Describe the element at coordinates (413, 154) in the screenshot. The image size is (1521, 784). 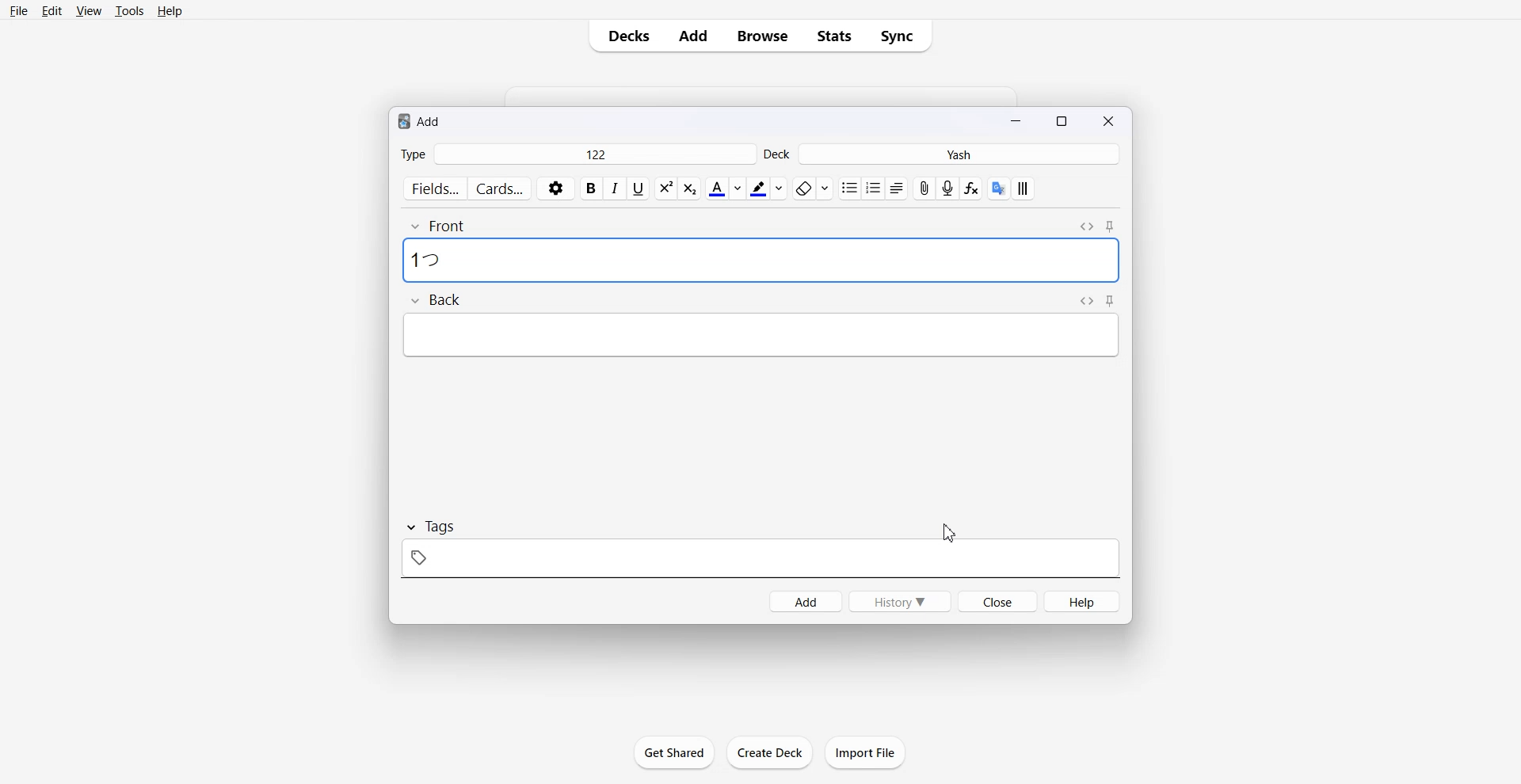
I see `Type` at that location.